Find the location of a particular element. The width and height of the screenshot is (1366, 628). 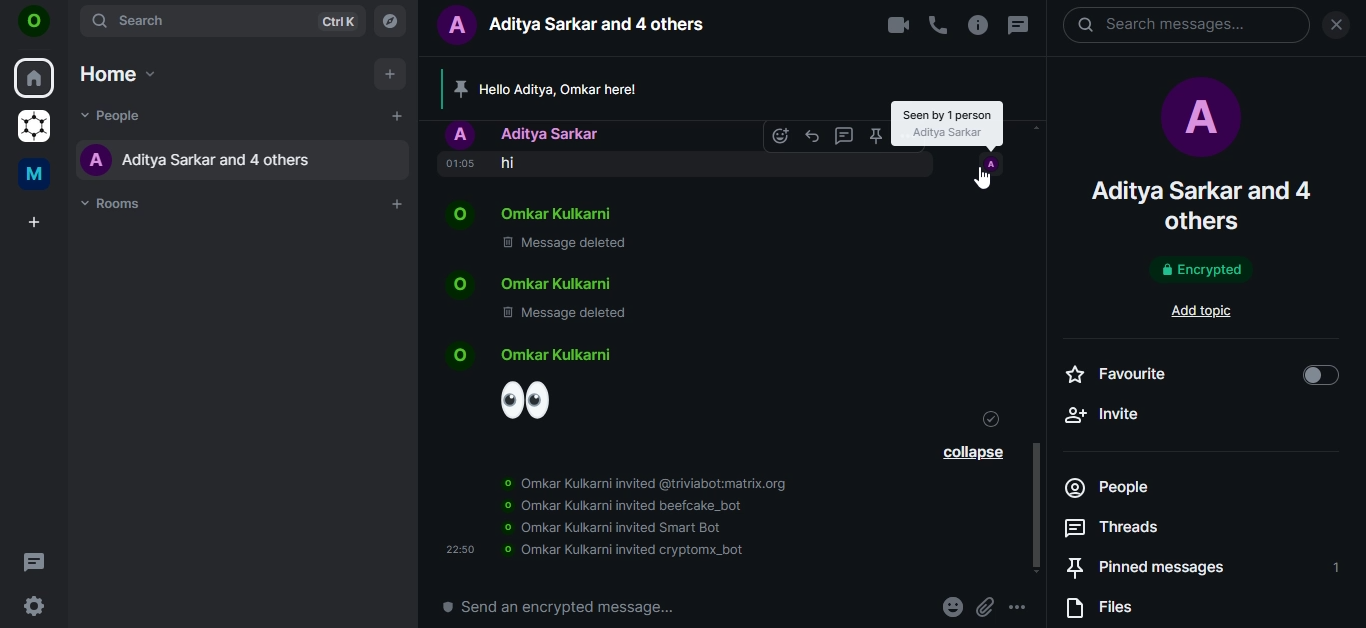

icon is located at coordinates (991, 161).